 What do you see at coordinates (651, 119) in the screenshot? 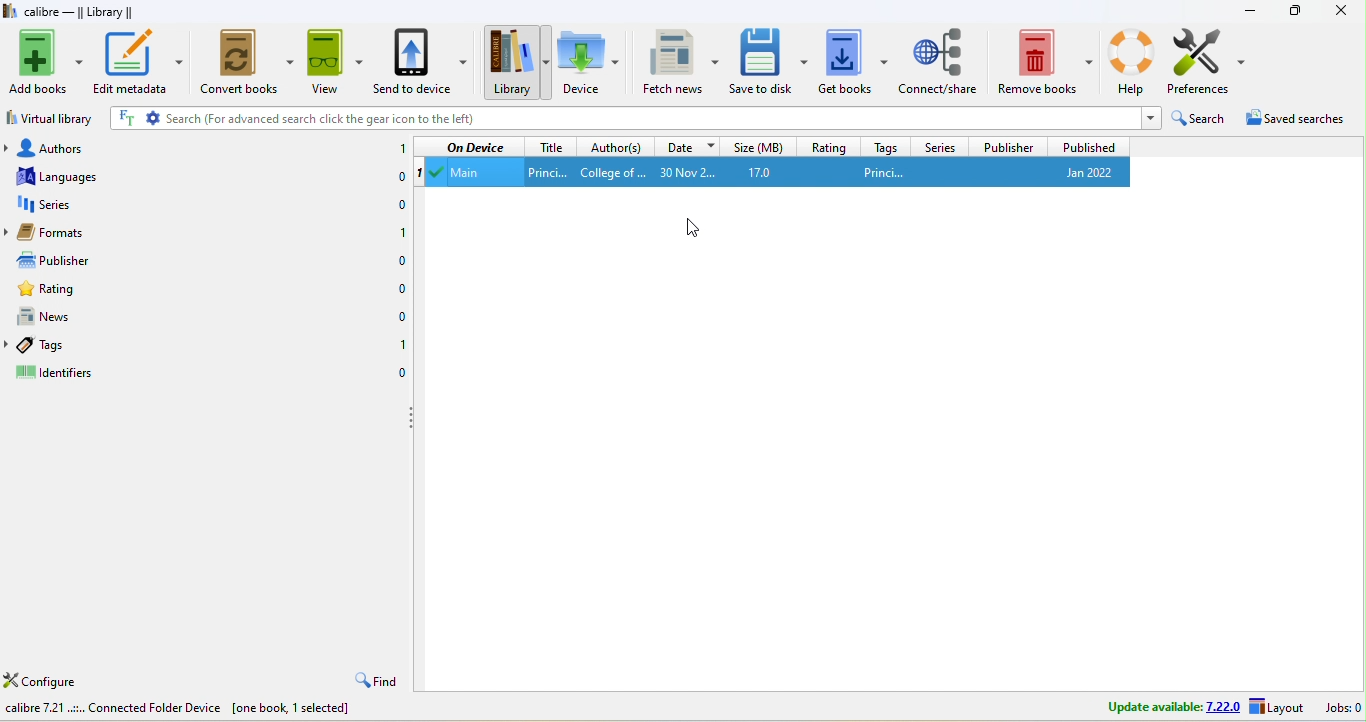
I see `search (for advanced search click the gear icon to the left)` at bounding box center [651, 119].